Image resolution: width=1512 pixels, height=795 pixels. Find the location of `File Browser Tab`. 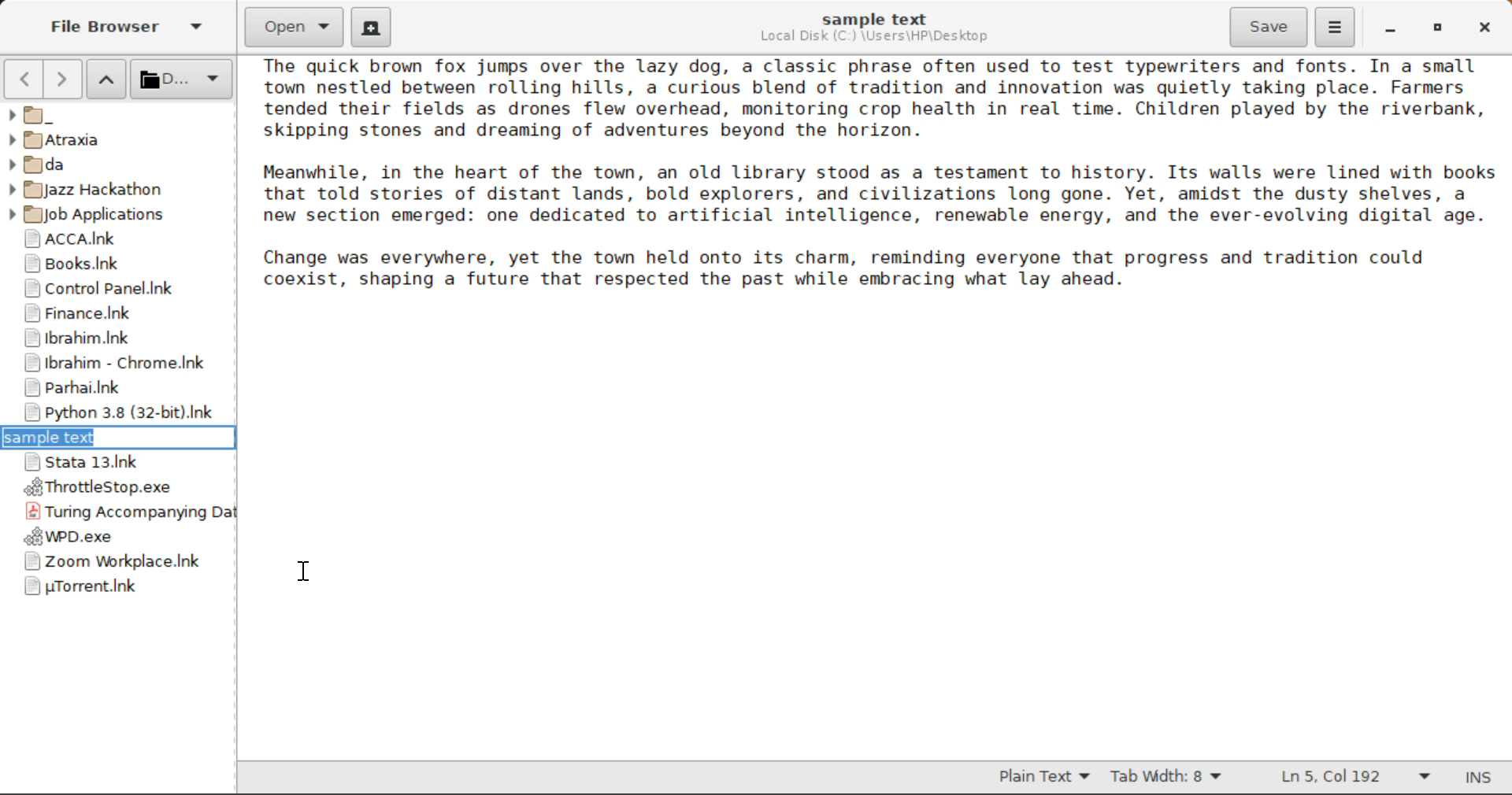

File Browser Tab is located at coordinates (124, 28).